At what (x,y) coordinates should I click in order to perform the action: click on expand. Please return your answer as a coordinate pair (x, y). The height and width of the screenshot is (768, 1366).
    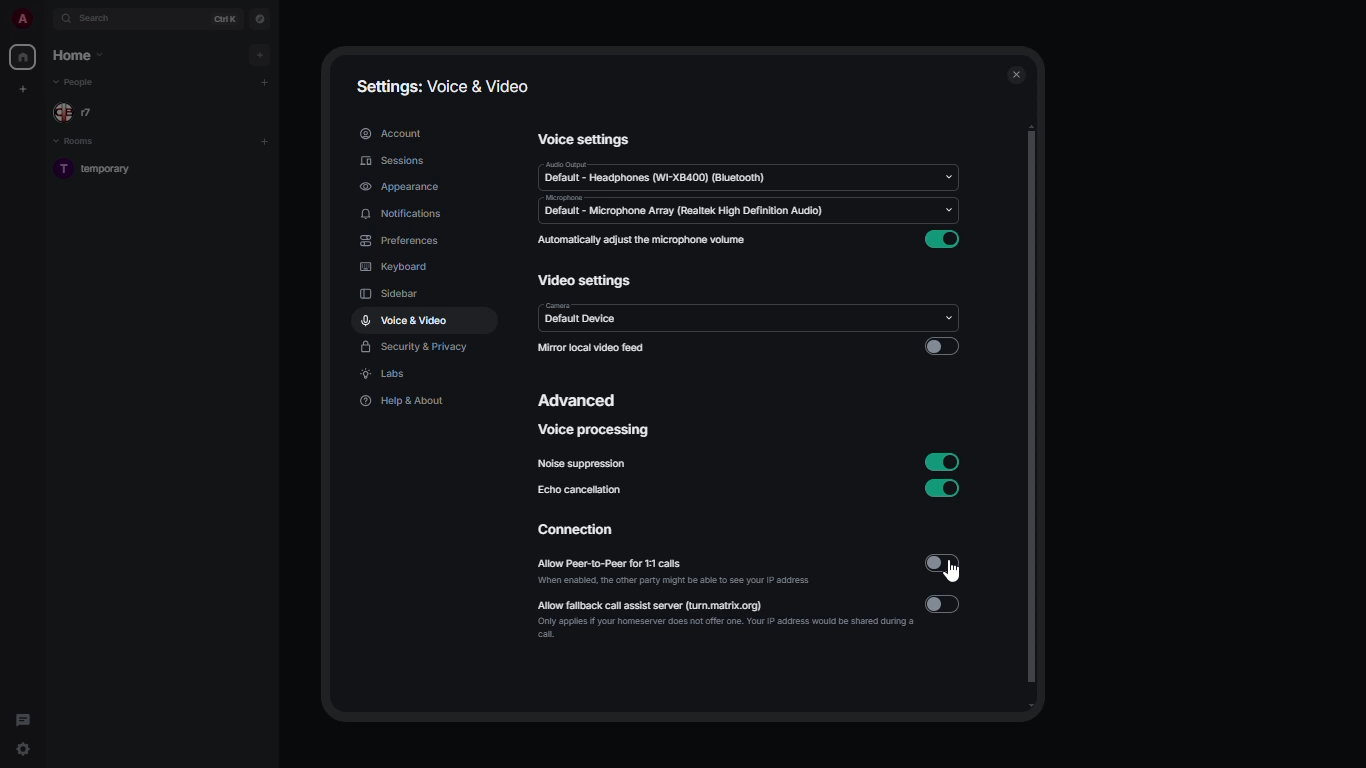
    Looking at the image, I should click on (48, 18).